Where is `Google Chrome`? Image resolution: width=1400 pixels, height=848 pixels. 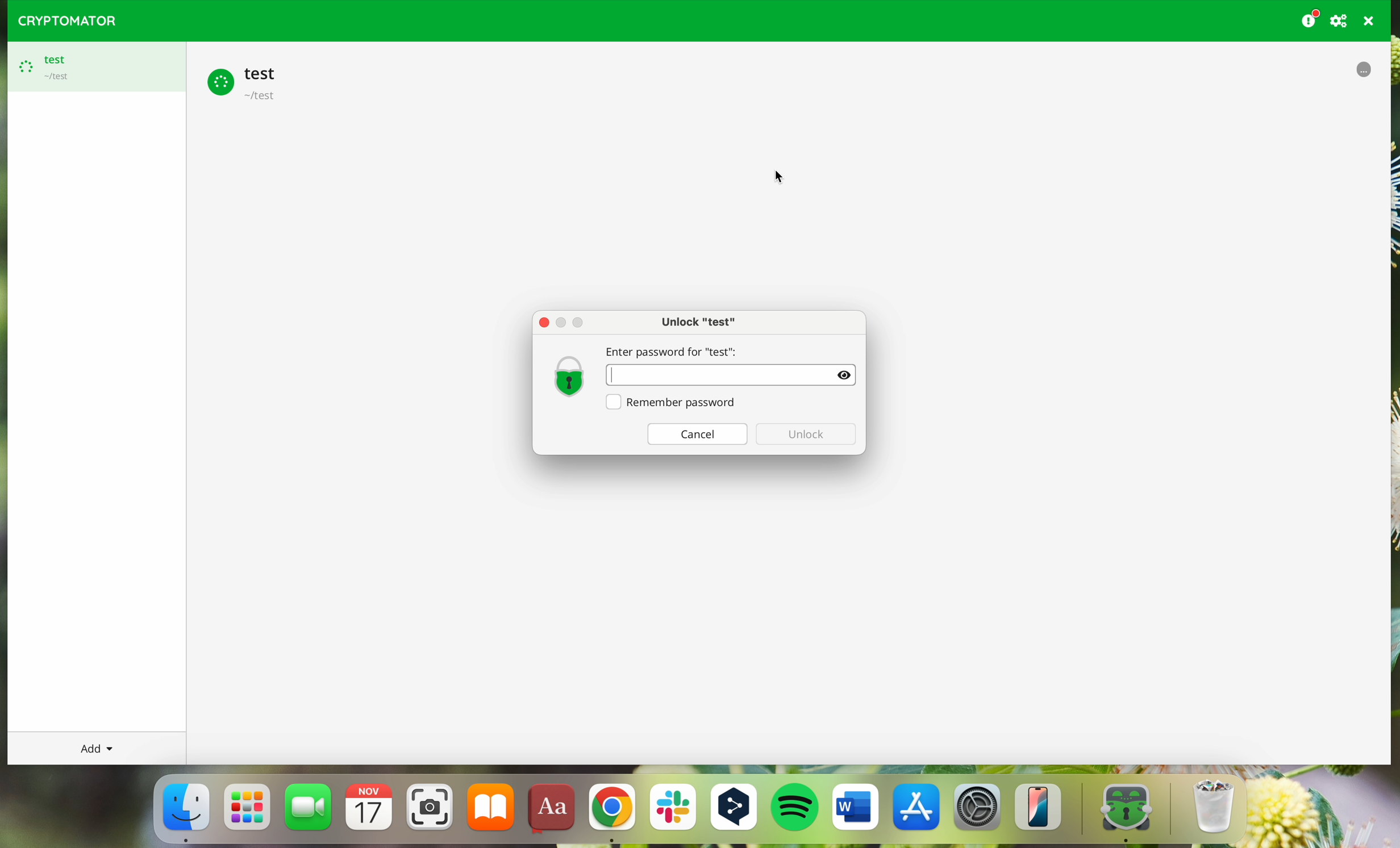
Google Chrome is located at coordinates (611, 813).